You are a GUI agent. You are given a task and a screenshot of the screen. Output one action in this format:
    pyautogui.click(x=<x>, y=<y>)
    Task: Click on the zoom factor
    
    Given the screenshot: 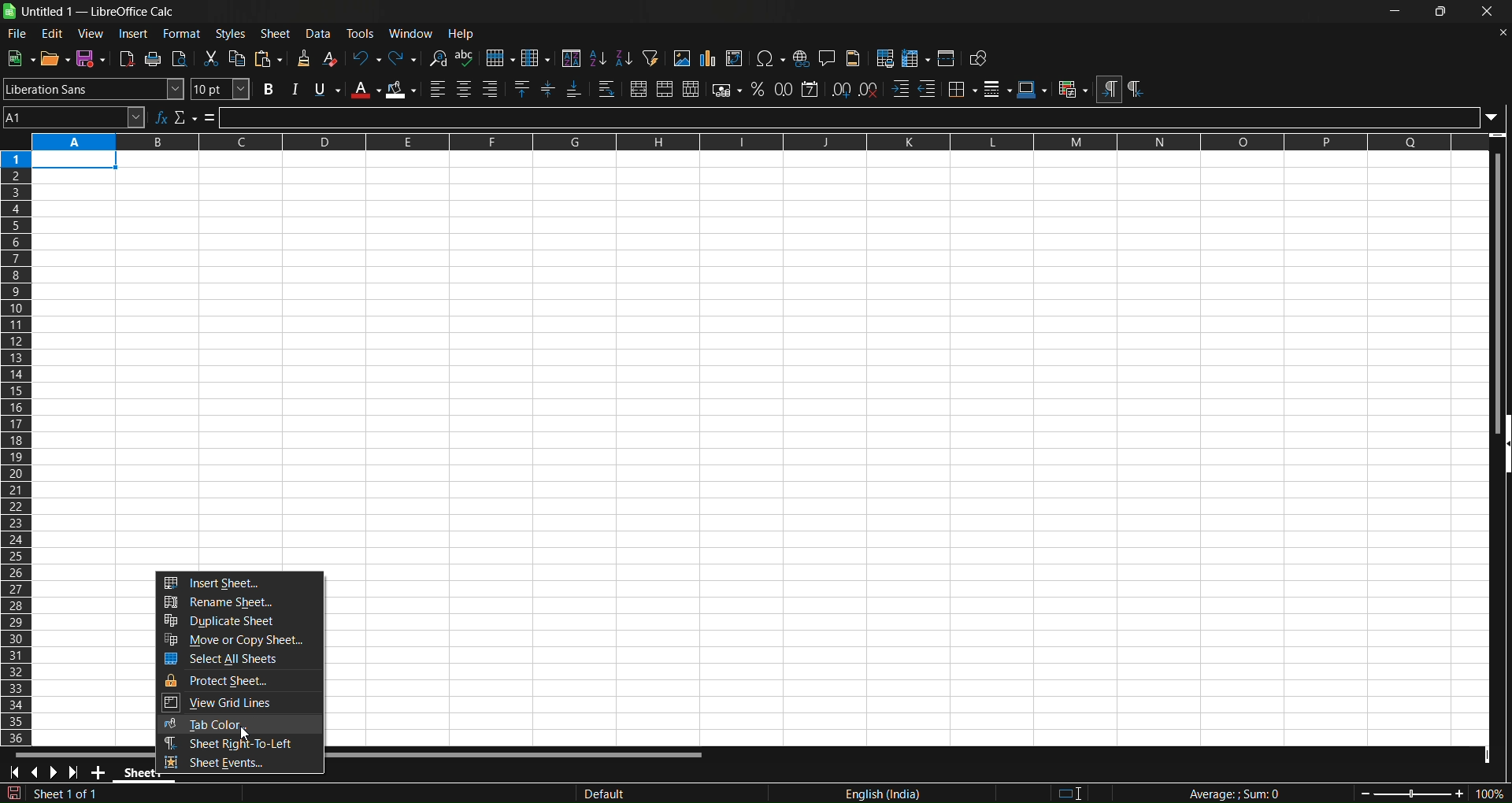 What is the action you would take?
    pyautogui.click(x=1411, y=793)
    